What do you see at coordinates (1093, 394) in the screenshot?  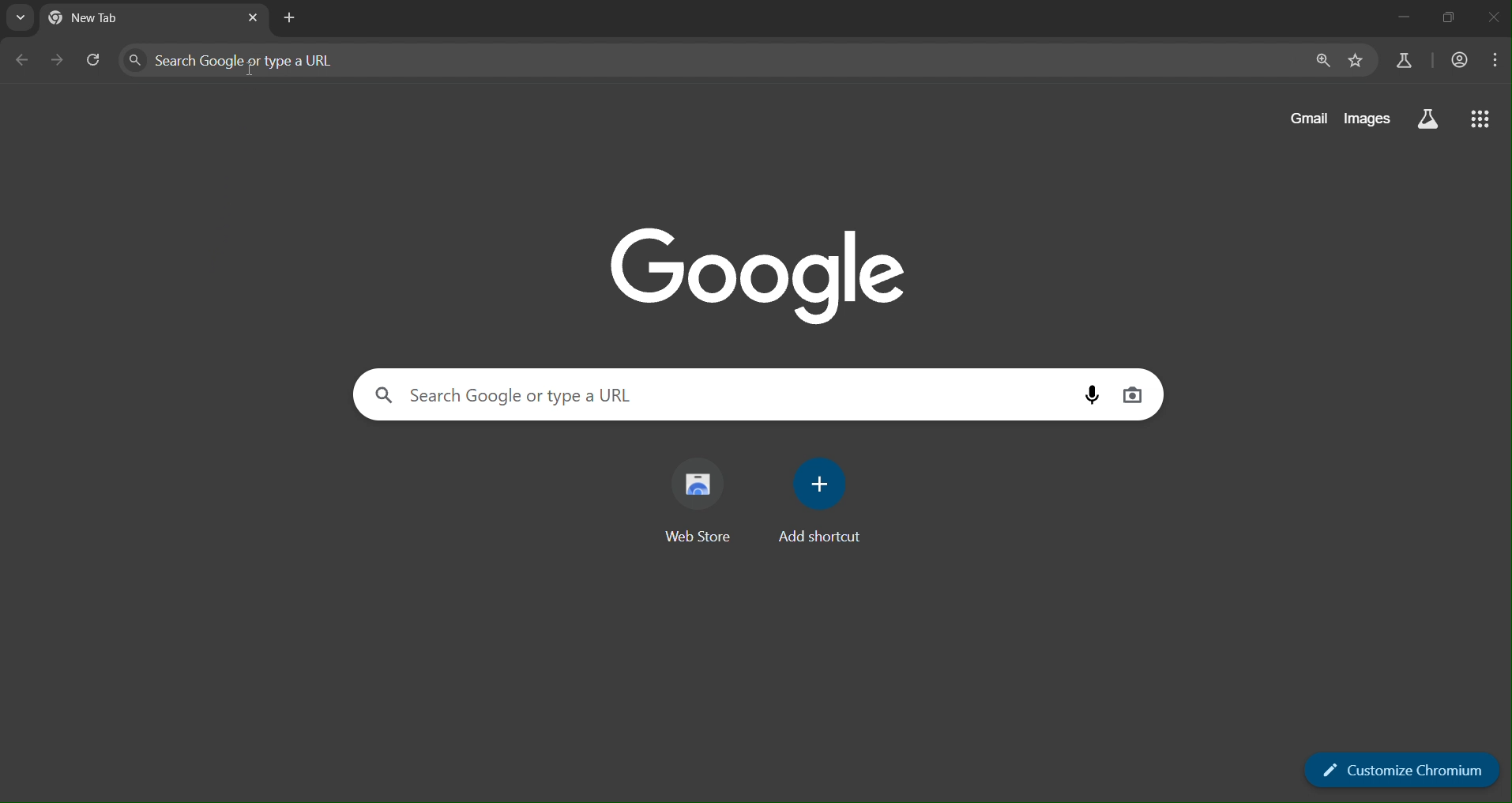 I see `voice search` at bounding box center [1093, 394].